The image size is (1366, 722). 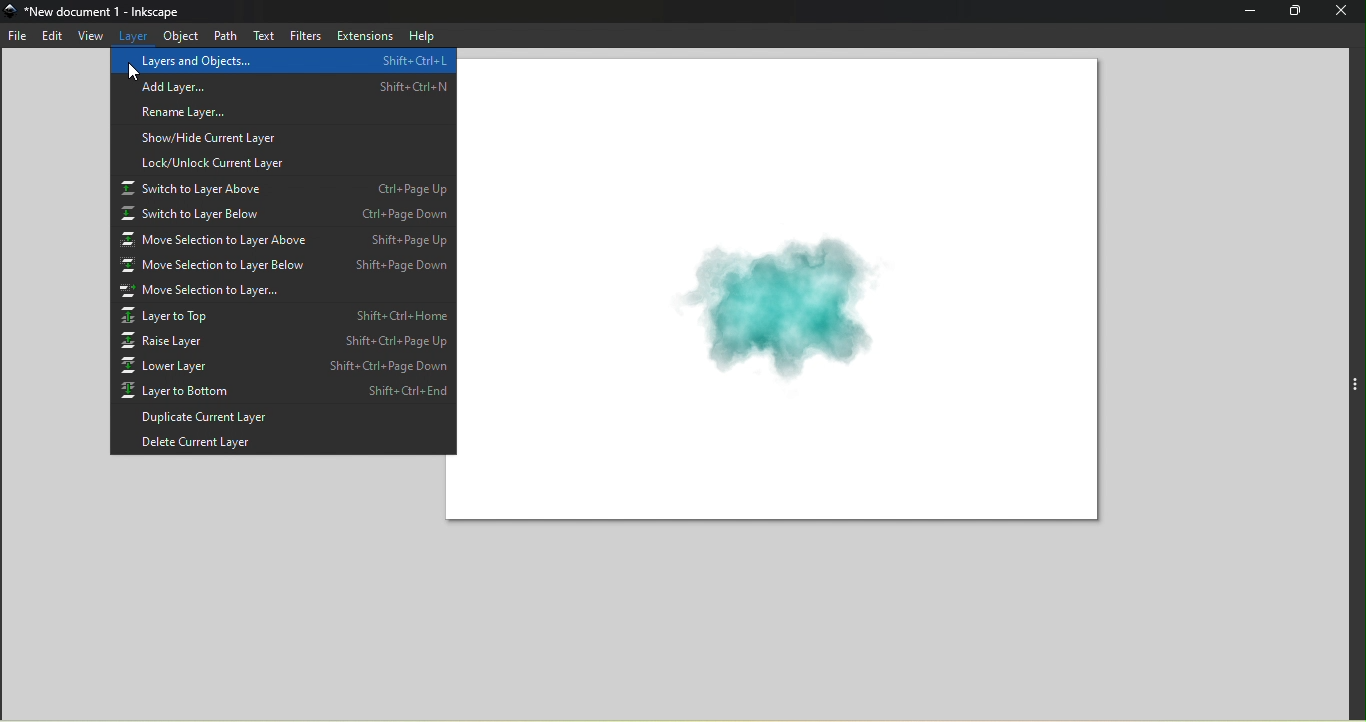 What do you see at coordinates (364, 35) in the screenshot?
I see `Extensions` at bounding box center [364, 35].